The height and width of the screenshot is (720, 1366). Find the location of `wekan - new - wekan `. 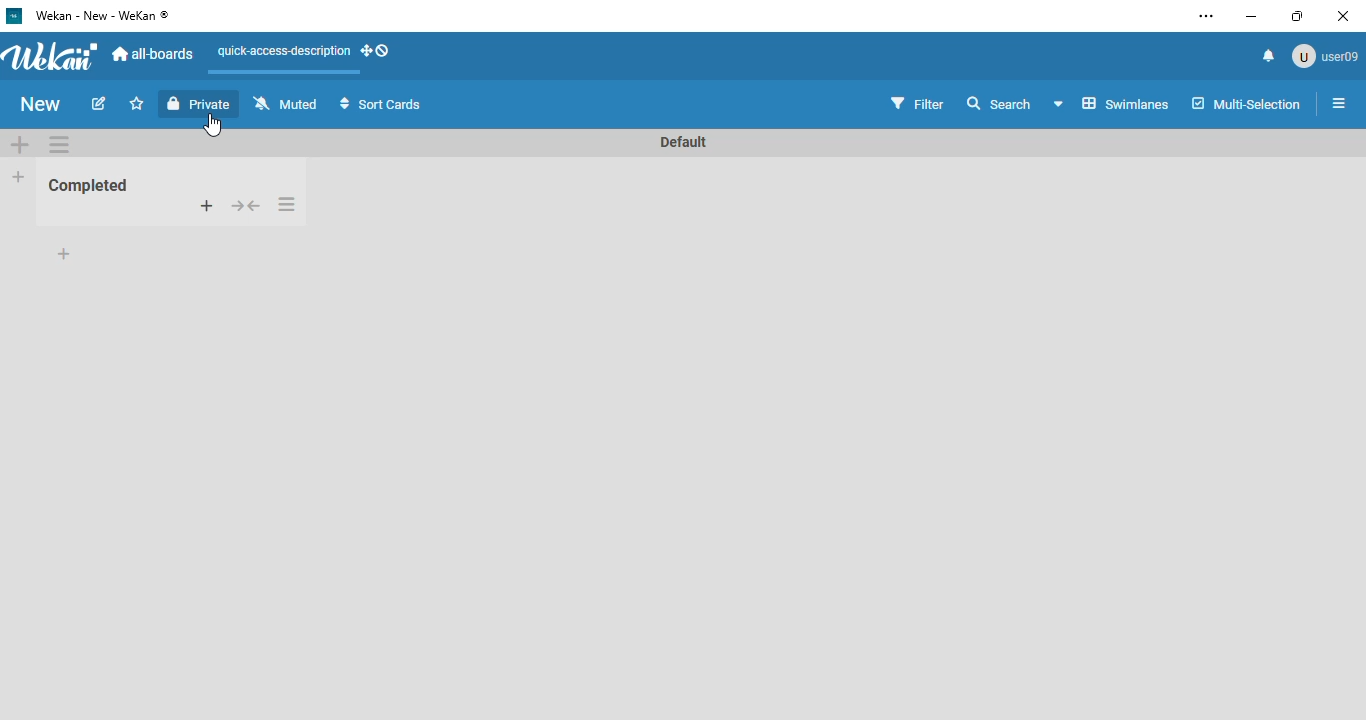

wekan - new - wekan  is located at coordinates (102, 15).